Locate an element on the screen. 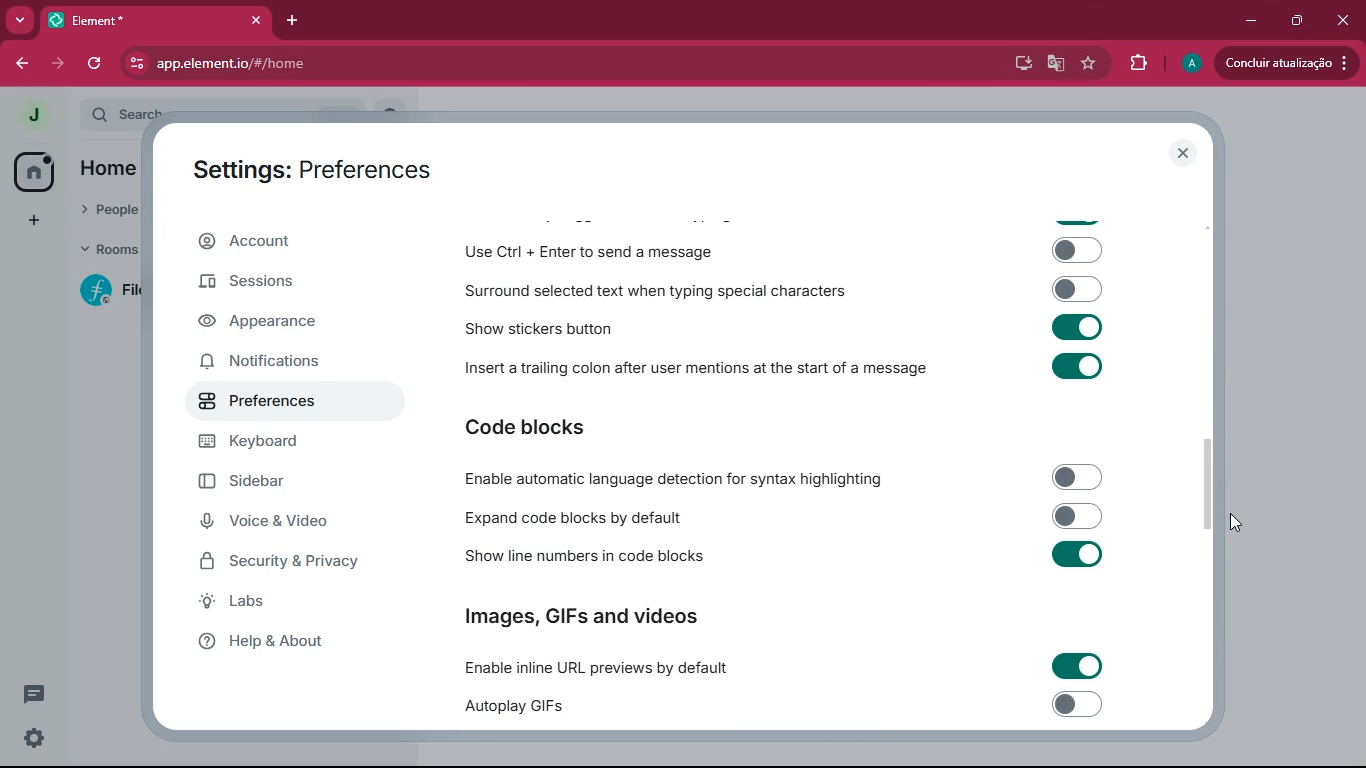 This screenshot has height=768, width=1366. appearance is located at coordinates (267, 323).